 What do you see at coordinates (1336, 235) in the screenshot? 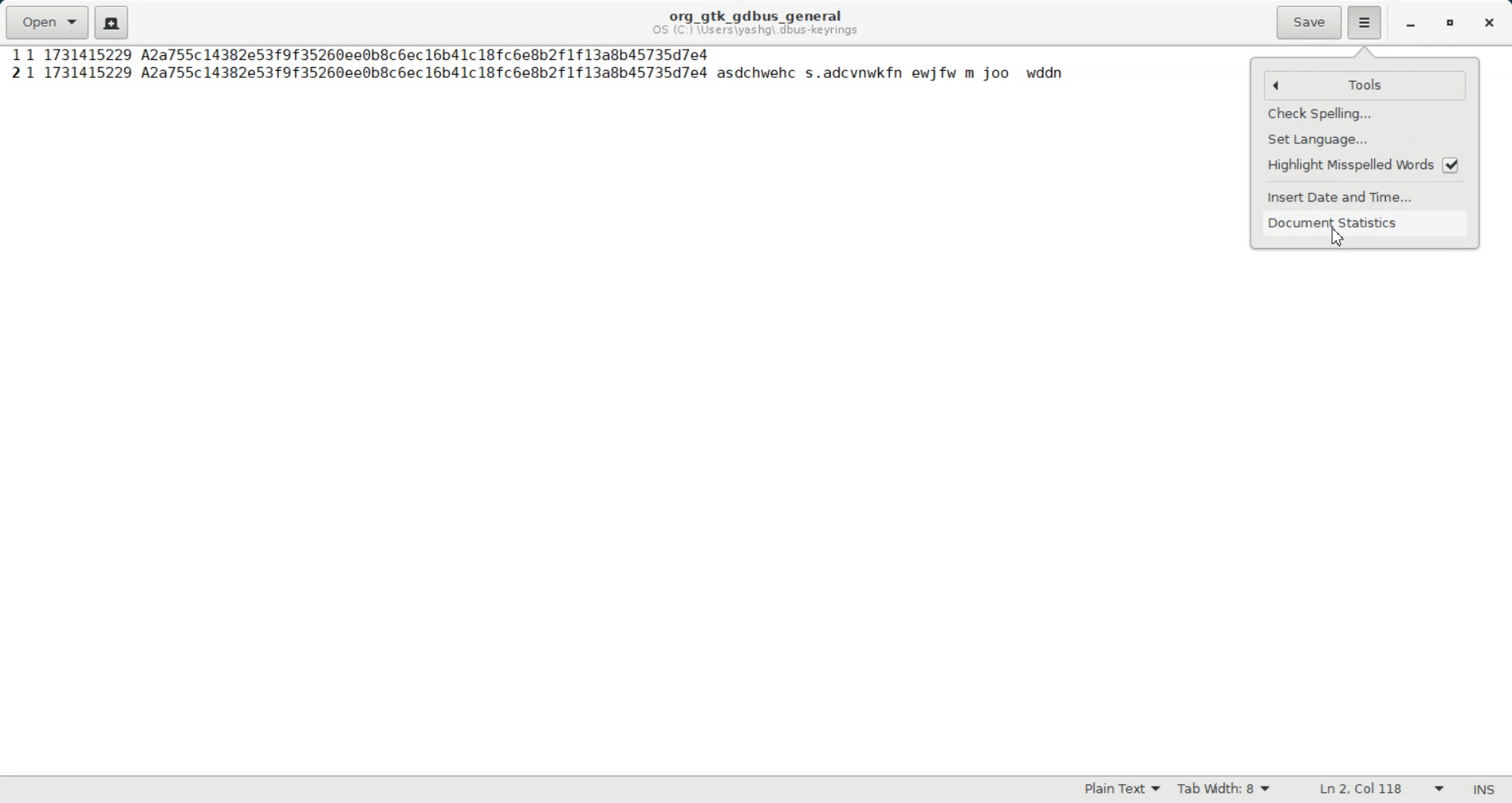
I see `Cursor` at bounding box center [1336, 235].